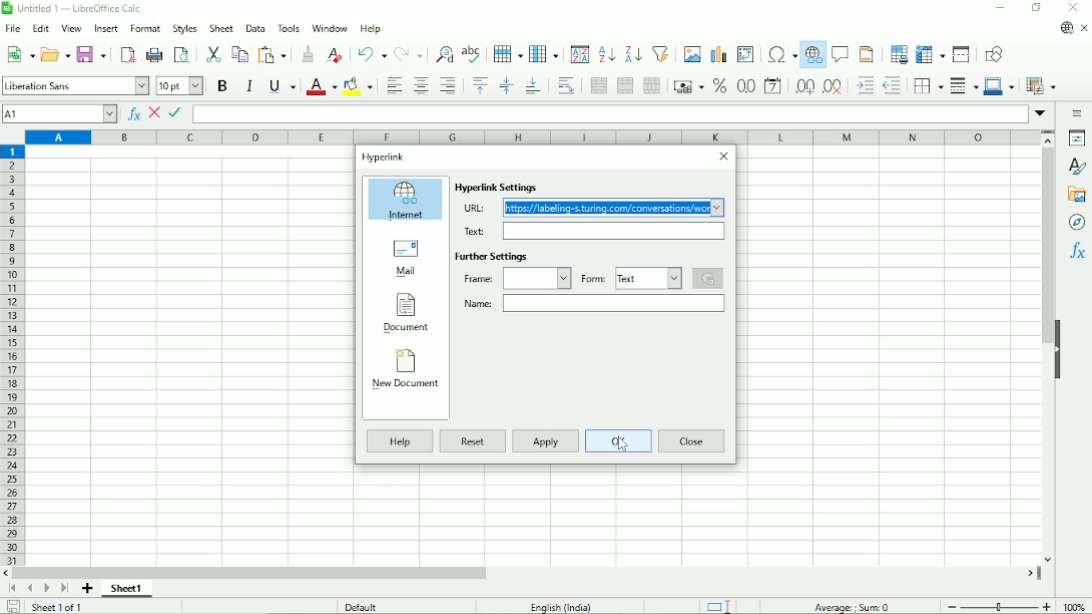  Describe the element at coordinates (361, 606) in the screenshot. I see `Default` at that location.